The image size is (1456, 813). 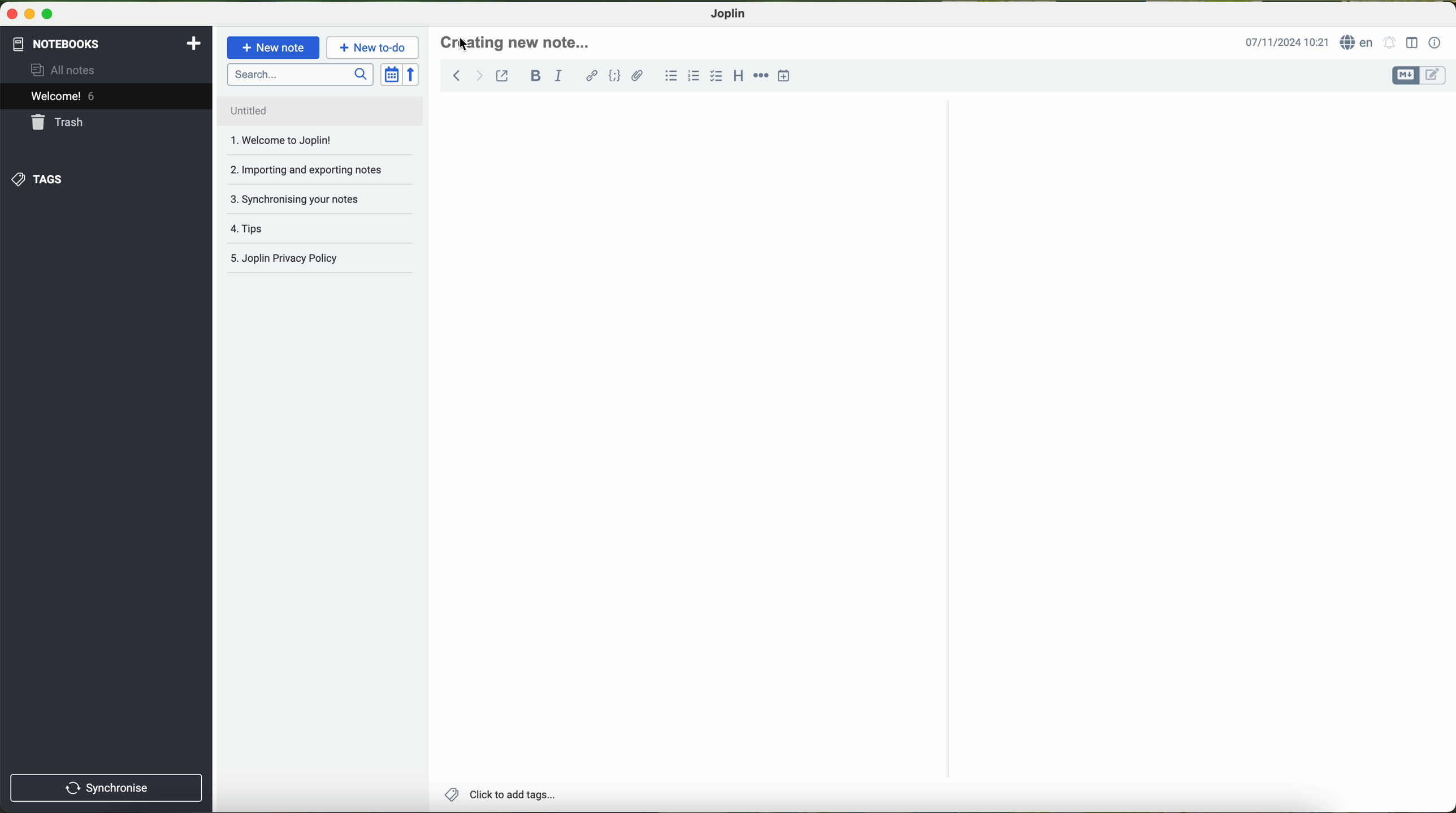 I want to click on reverse sort order, so click(x=412, y=74).